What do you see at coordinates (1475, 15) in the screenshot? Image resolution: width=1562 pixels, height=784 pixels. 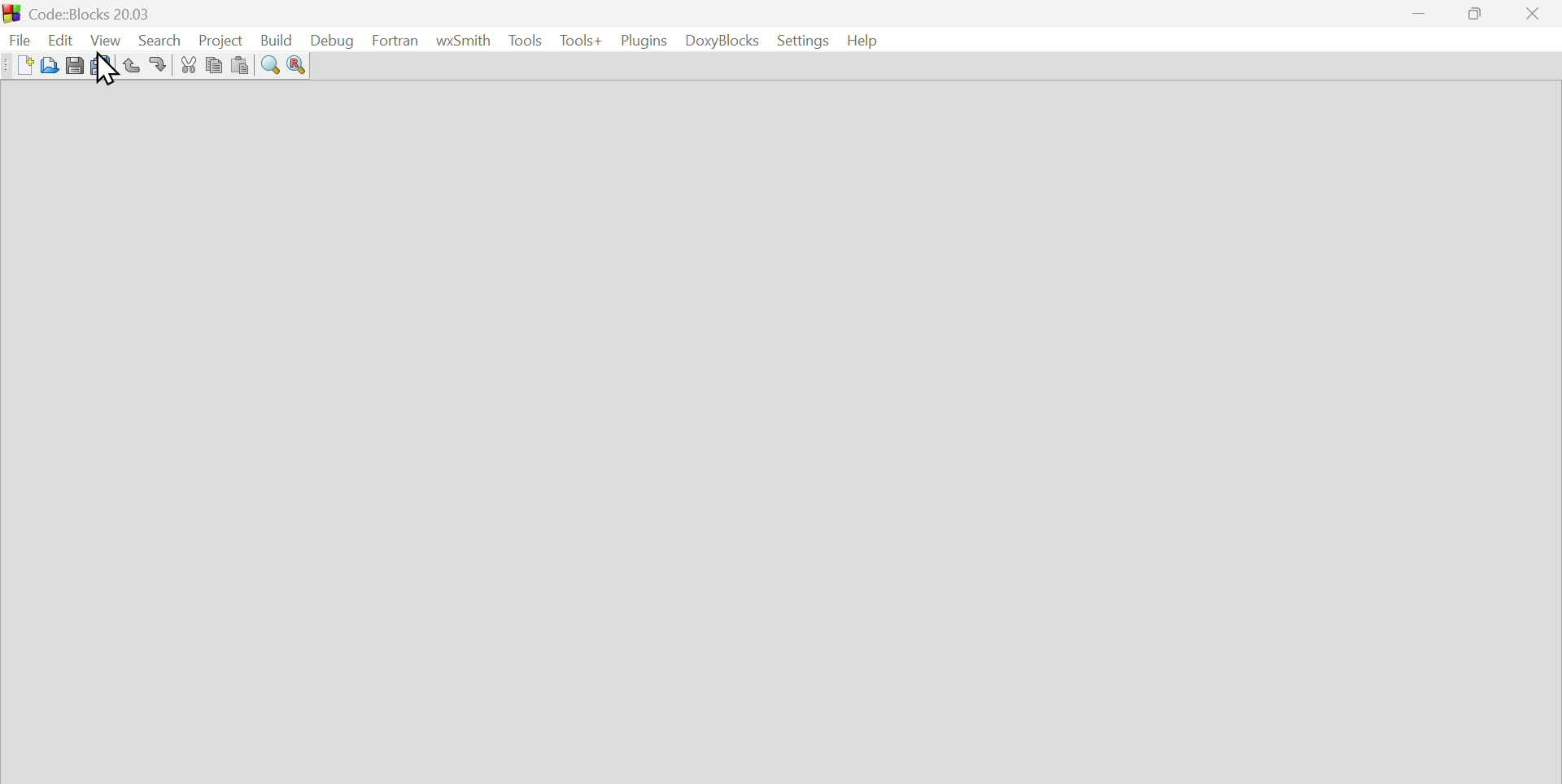 I see `Maximize` at bounding box center [1475, 15].